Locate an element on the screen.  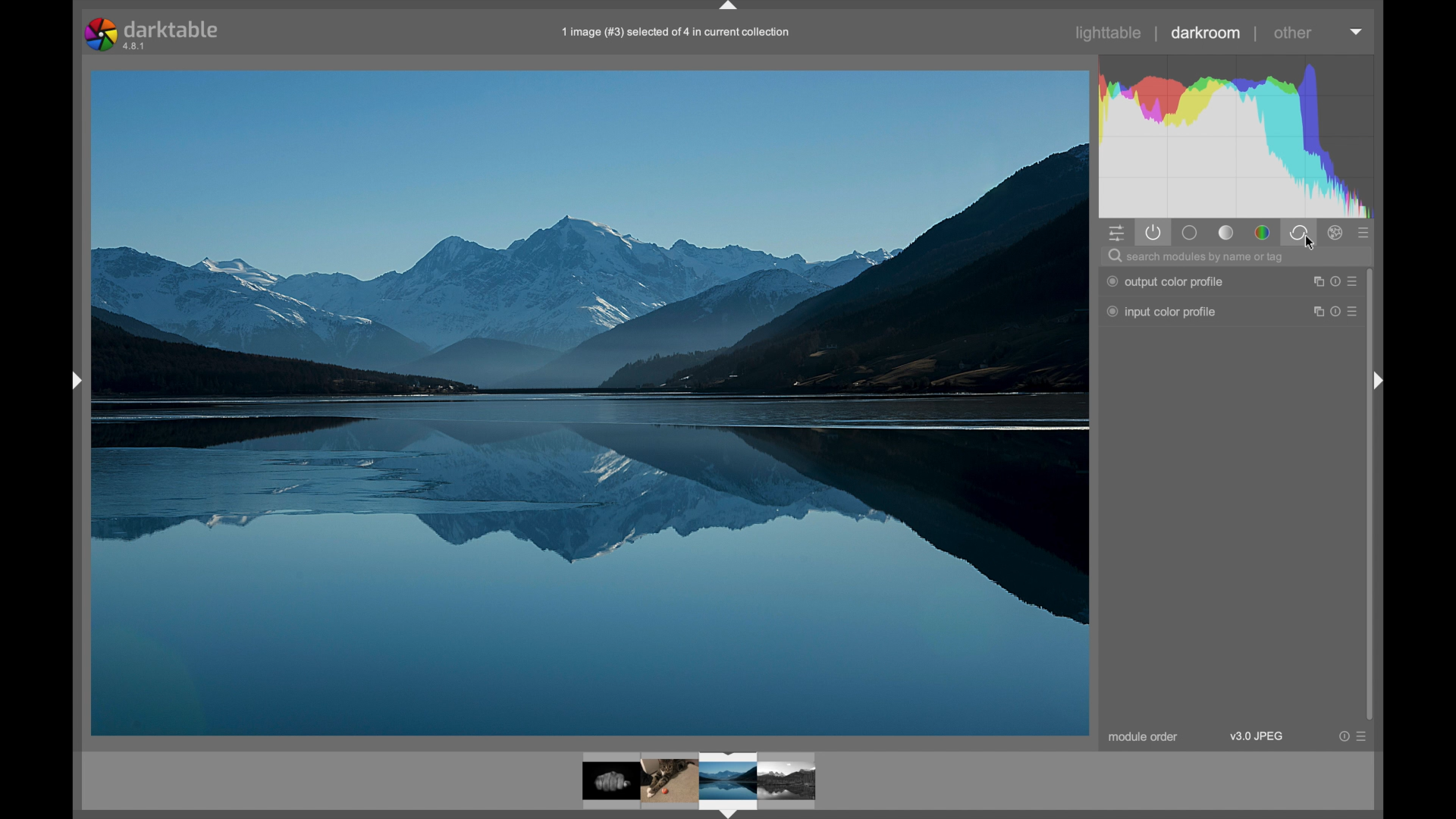
photo is located at coordinates (590, 401).